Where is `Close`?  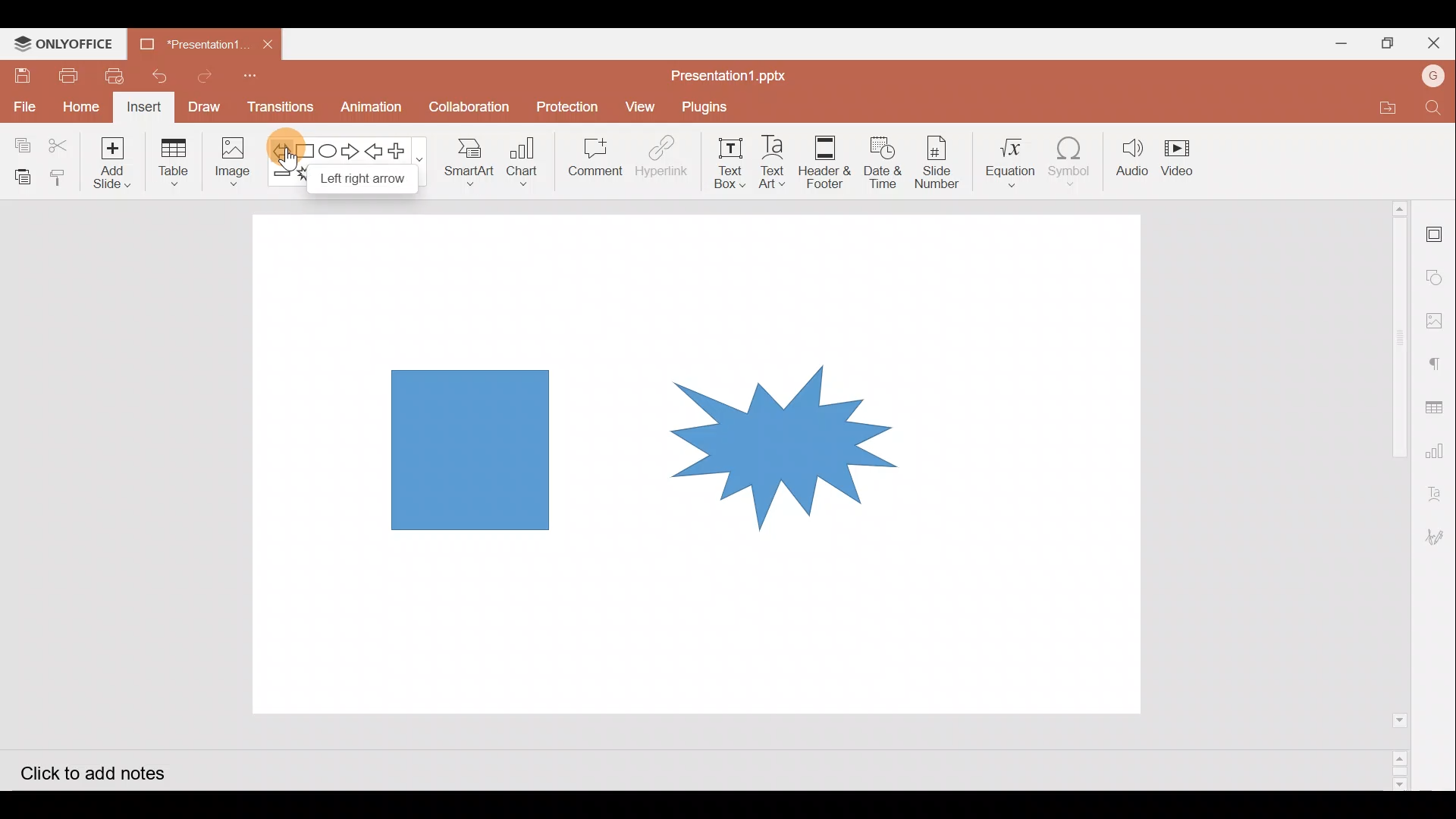
Close is located at coordinates (1432, 42).